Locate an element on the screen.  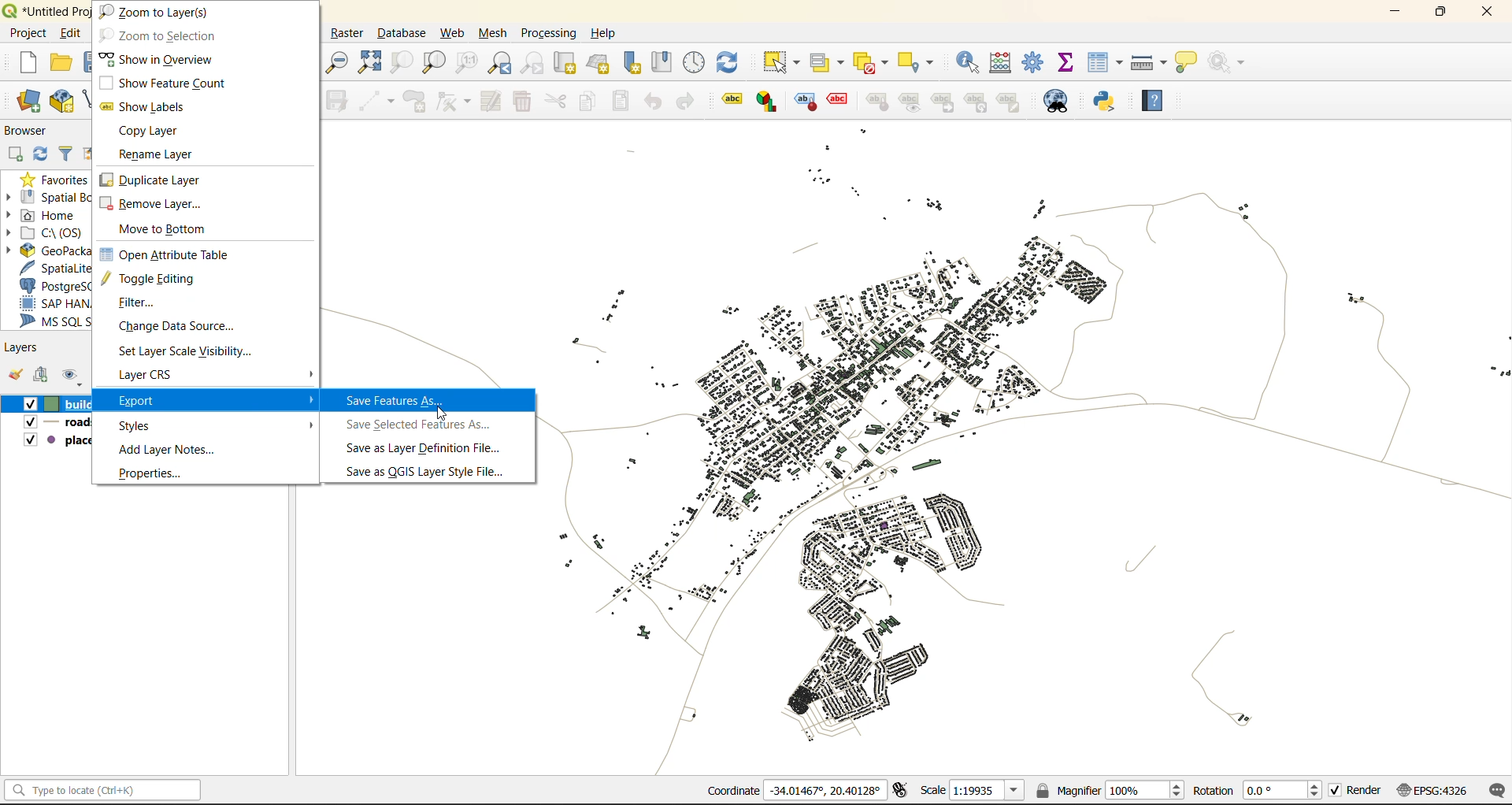
show hide labels and diagrams is located at coordinates (906, 102).